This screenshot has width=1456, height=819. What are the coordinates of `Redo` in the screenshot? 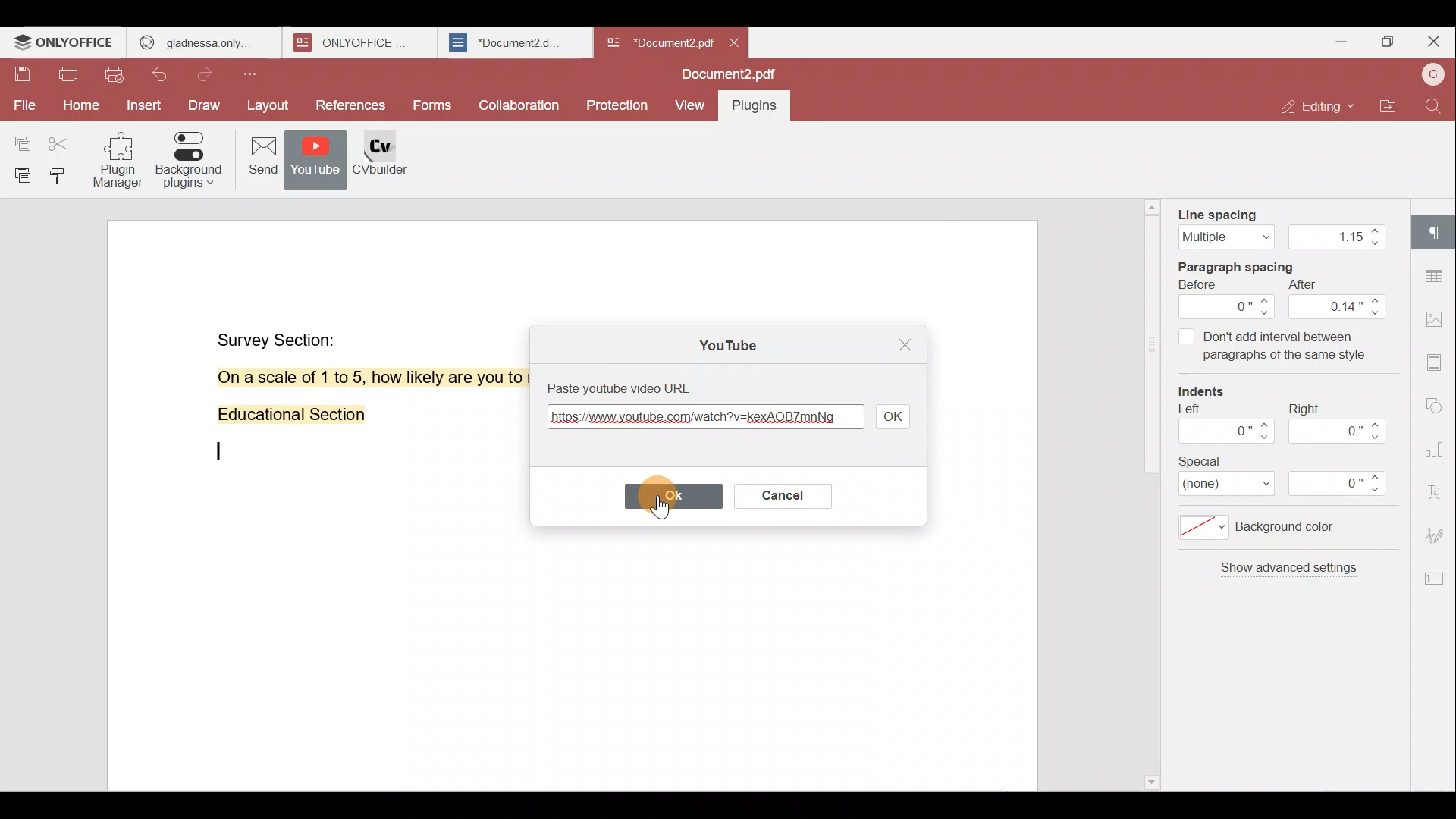 It's located at (209, 75).